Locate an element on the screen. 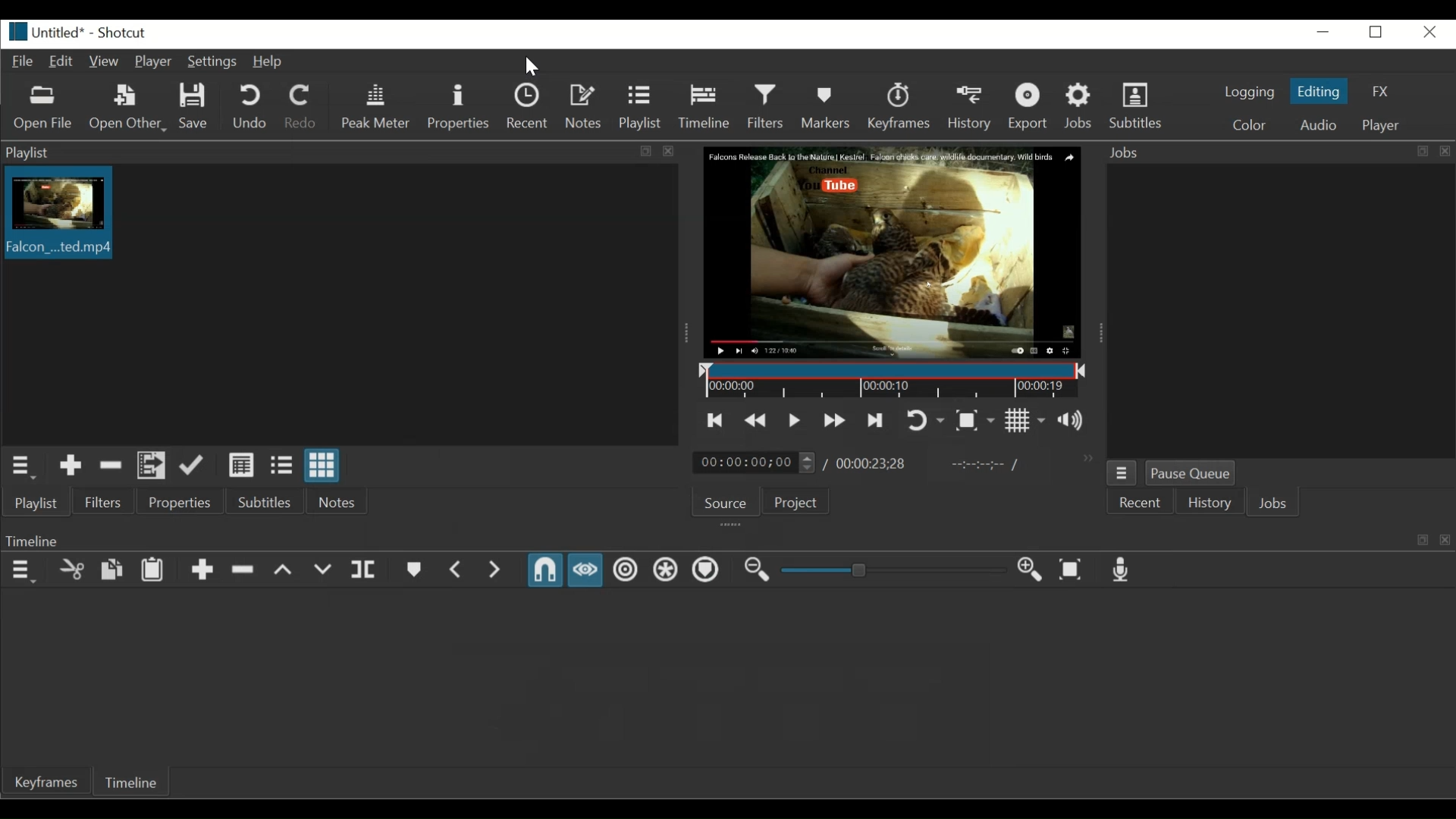 This screenshot has width=1456, height=819. Restore is located at coordinates (1376, 32).